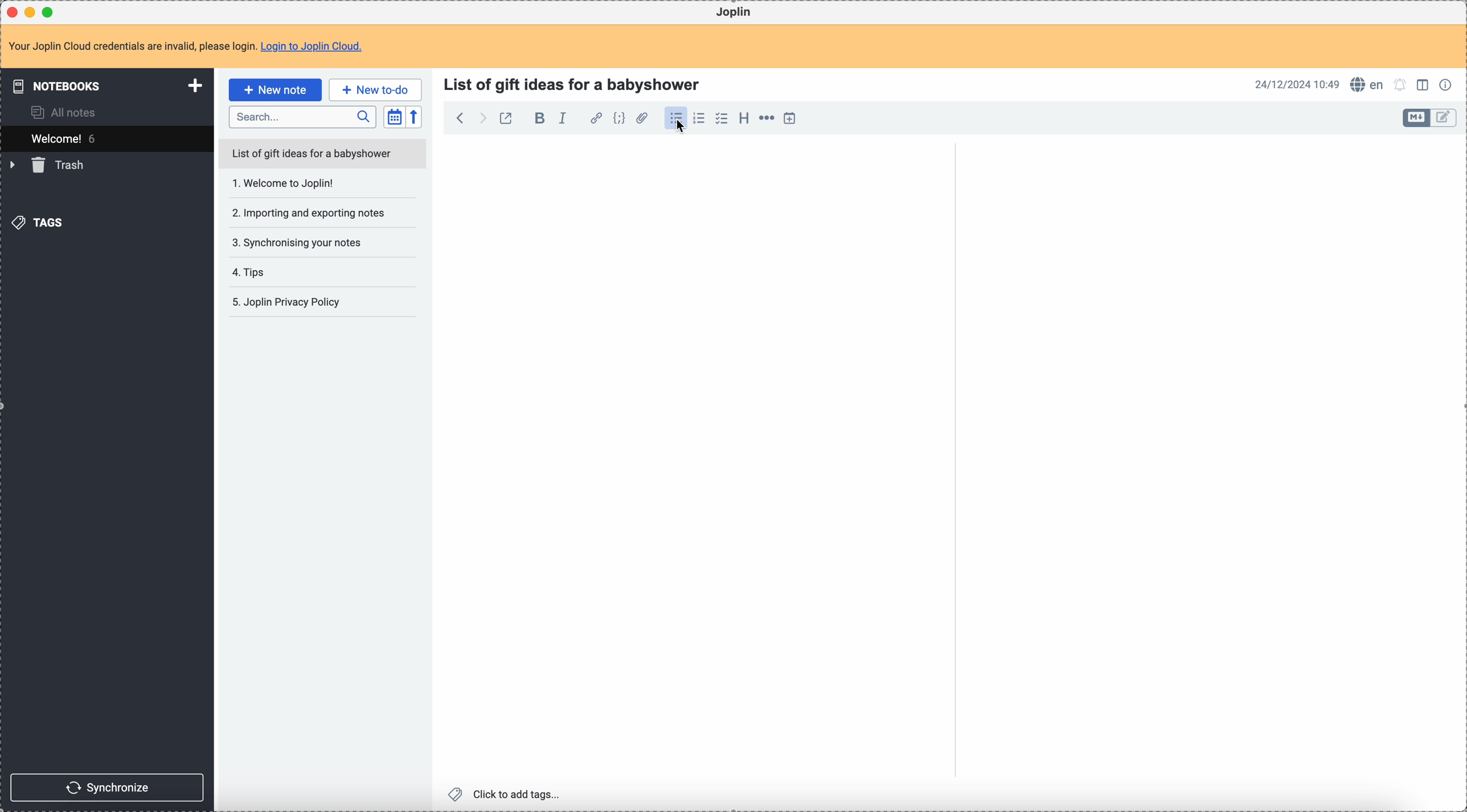 This screenshot has height=812, width=1467. I want to click on Welcome to joplin, so click(310, 186).